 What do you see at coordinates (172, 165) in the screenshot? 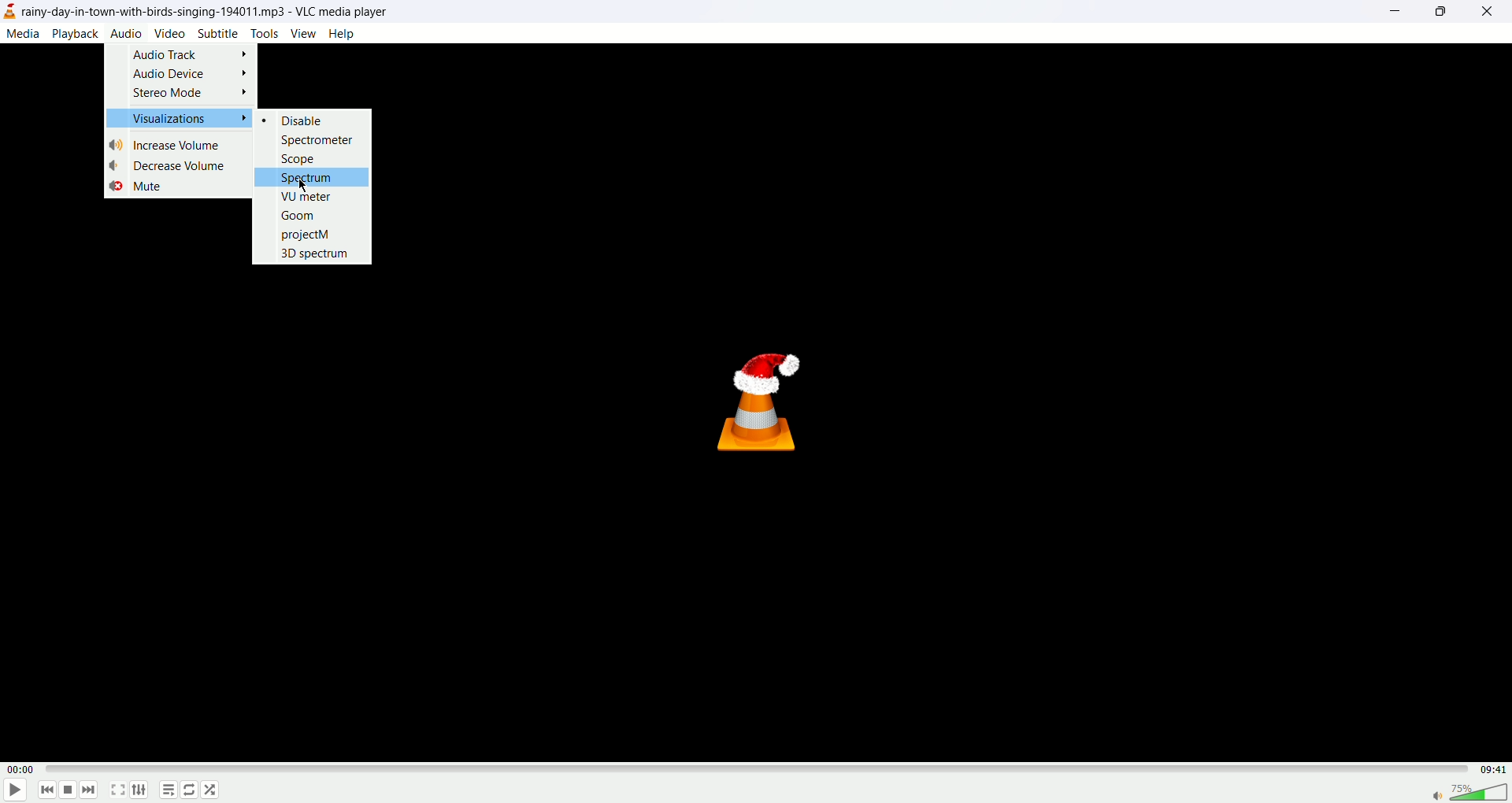
I see `decrease volume` at bounding box center [172, 165].